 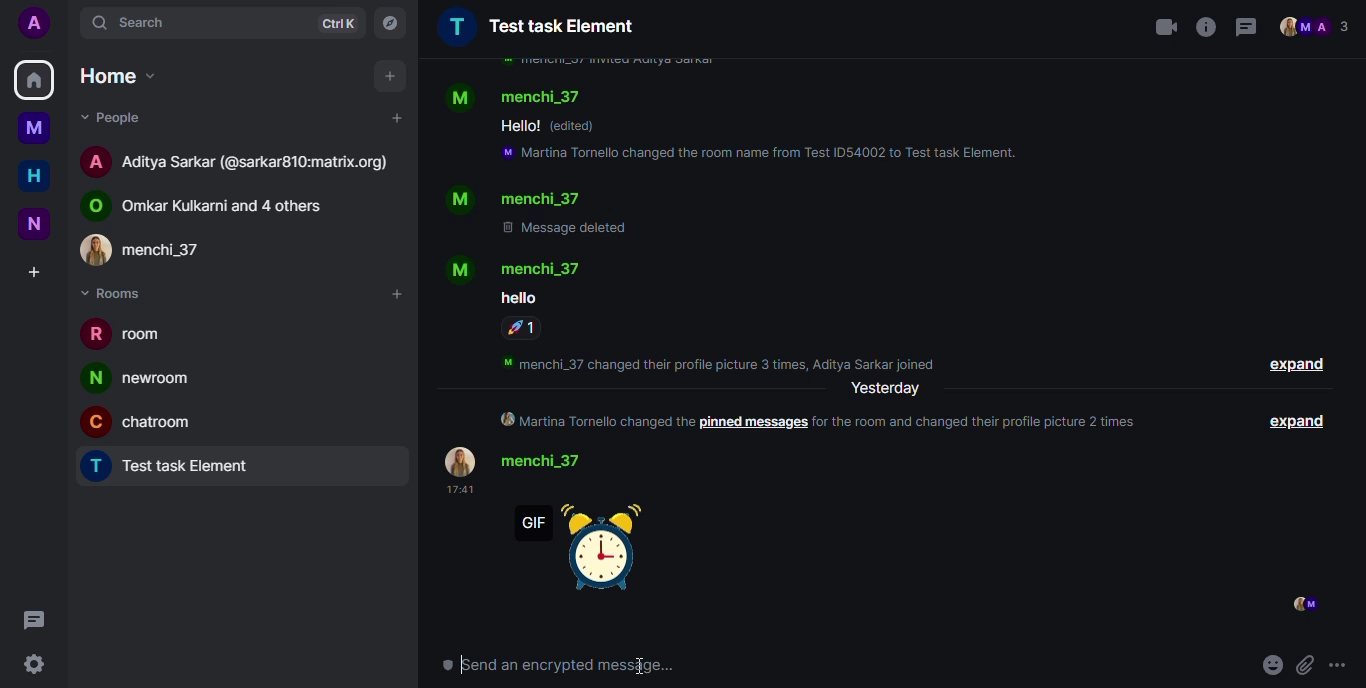 I want to click on info- menchi_37 changed their profile picture, so click(x=727, y=361).